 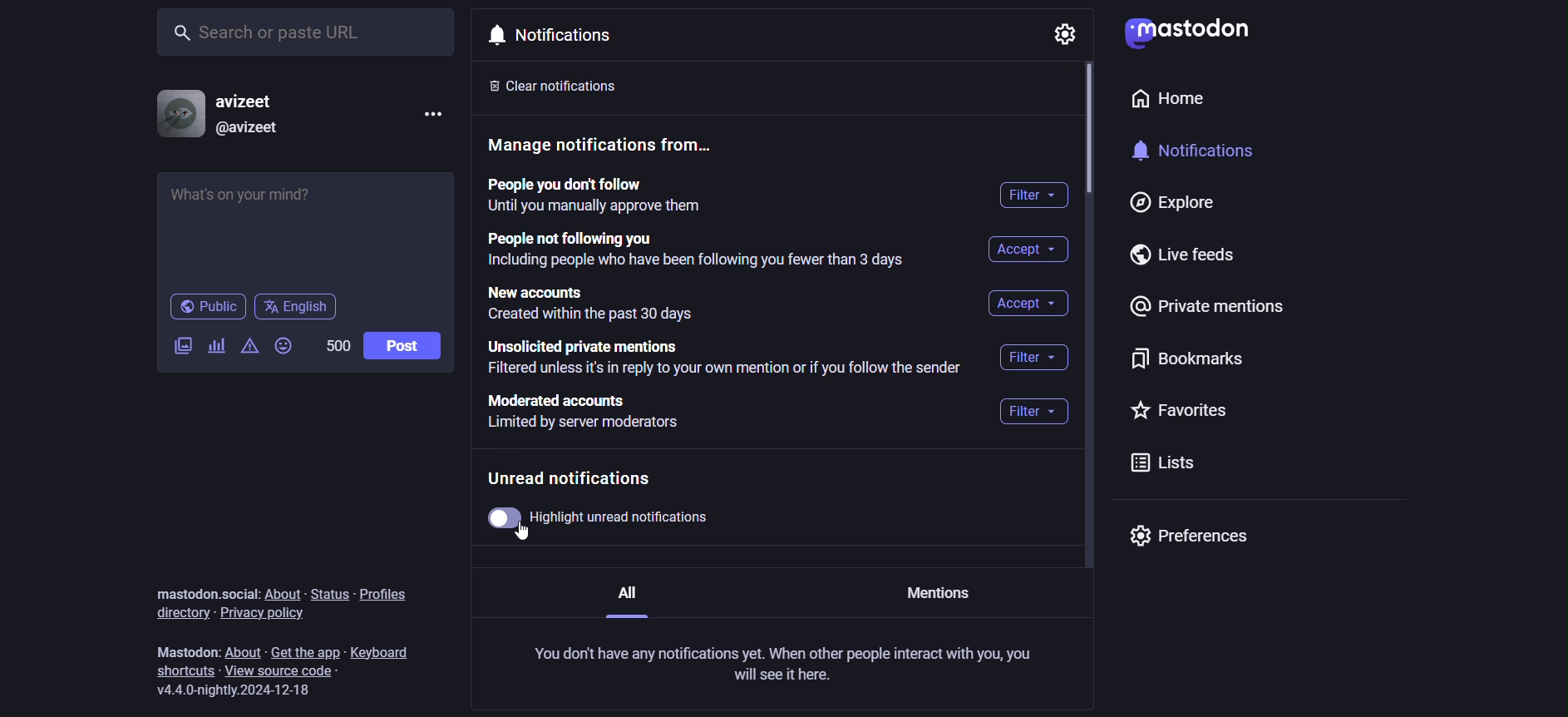 What do you see at coordinates (328, 593) in the screenshot?
I see `status` at bounding box center [328, 593].